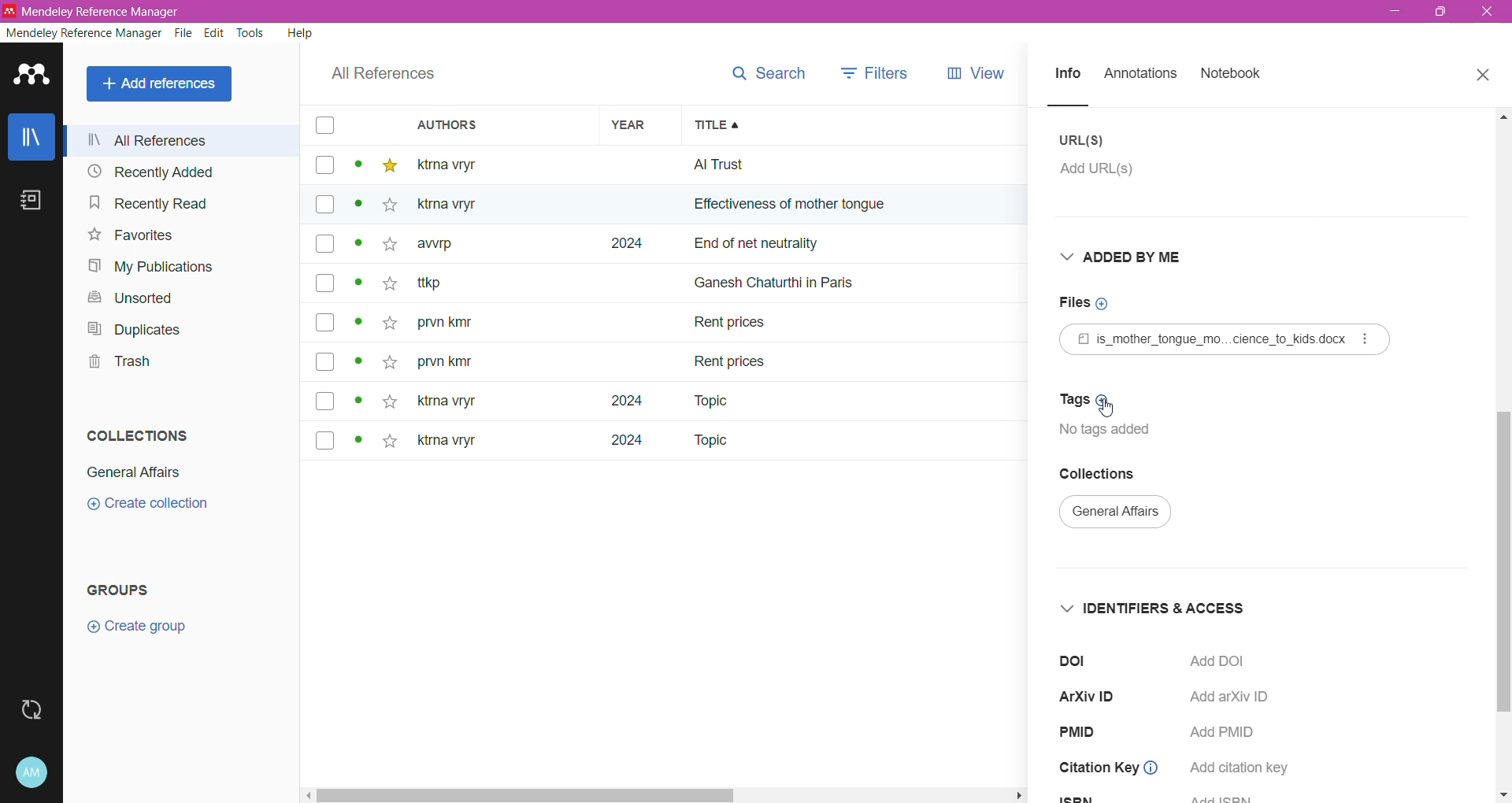  I want to click on Topic, so click(709, 442).